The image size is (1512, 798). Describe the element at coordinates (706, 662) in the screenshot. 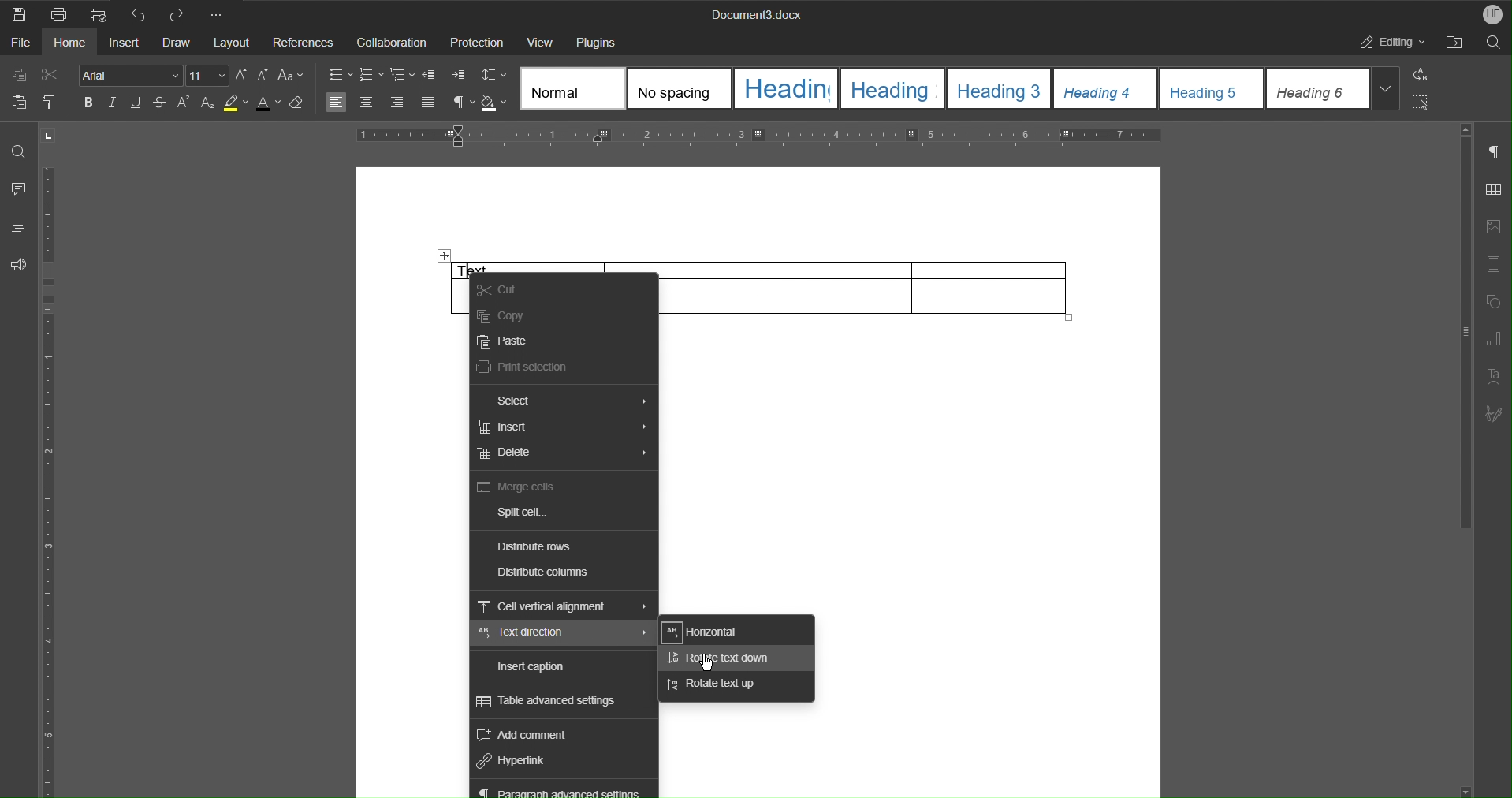

I see `Cursor` at that location.